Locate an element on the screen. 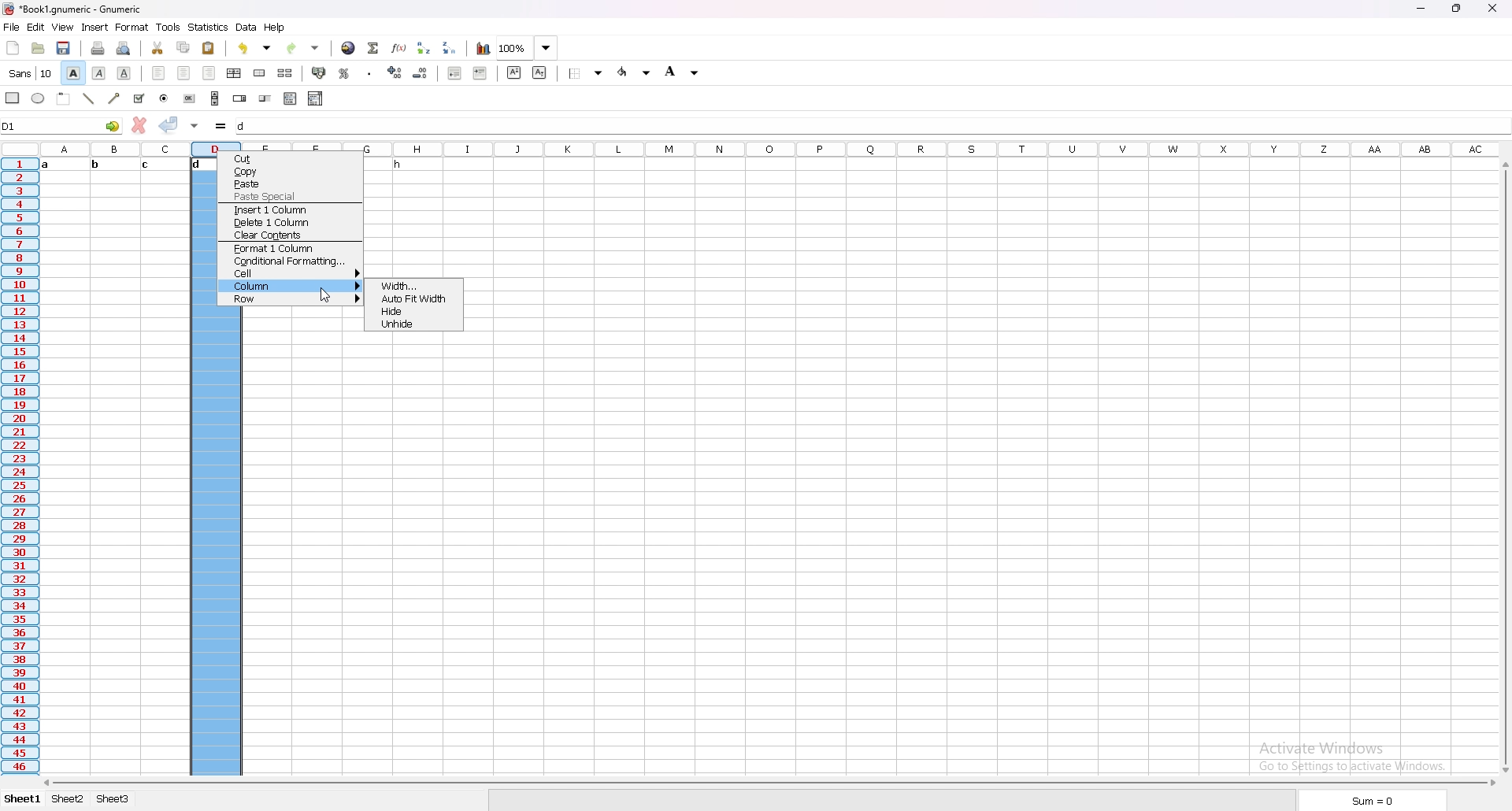  row is located at coordinates (289, 299).